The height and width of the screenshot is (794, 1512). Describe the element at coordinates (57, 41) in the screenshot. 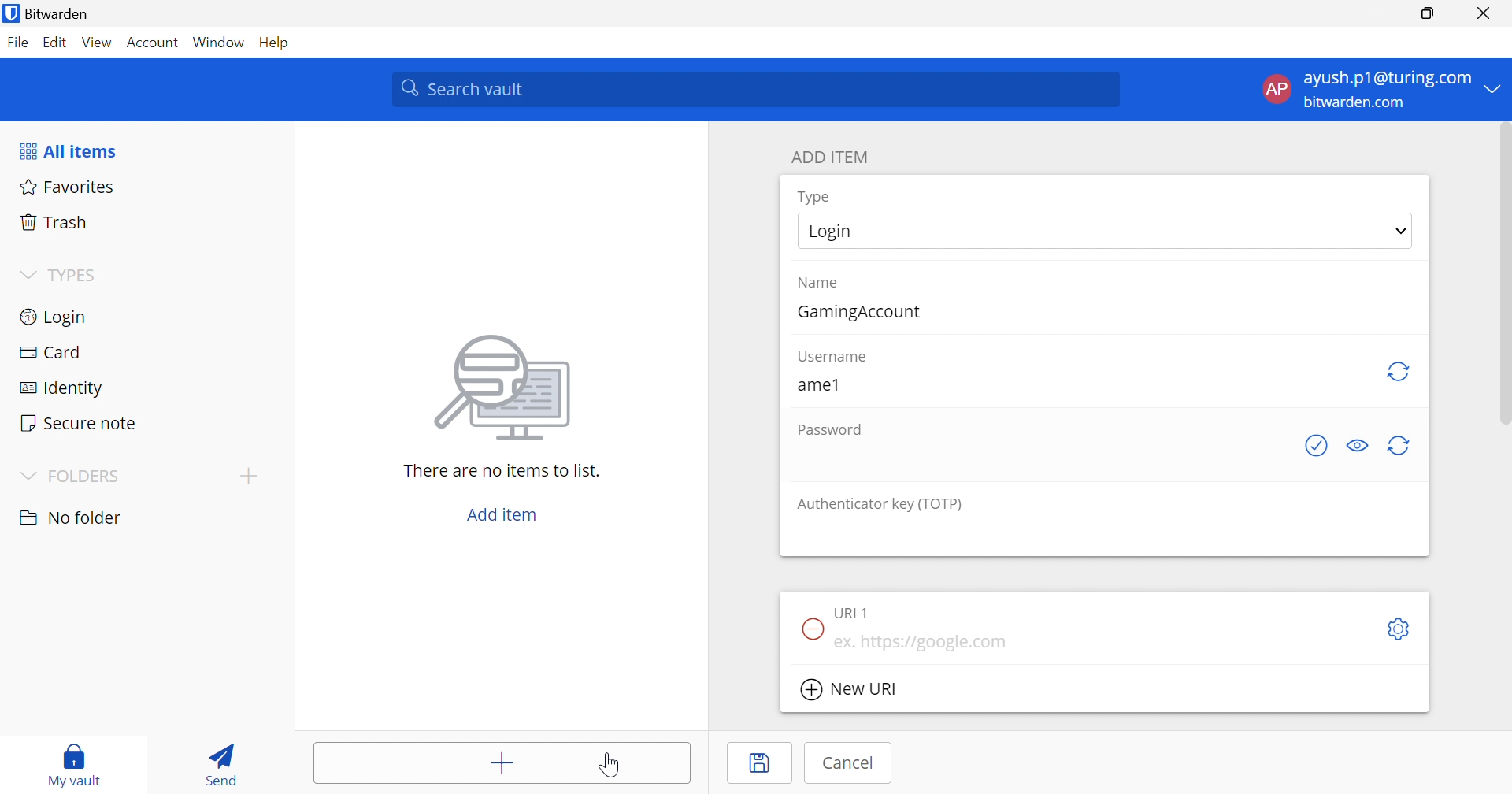

I see `Edit` at that location.